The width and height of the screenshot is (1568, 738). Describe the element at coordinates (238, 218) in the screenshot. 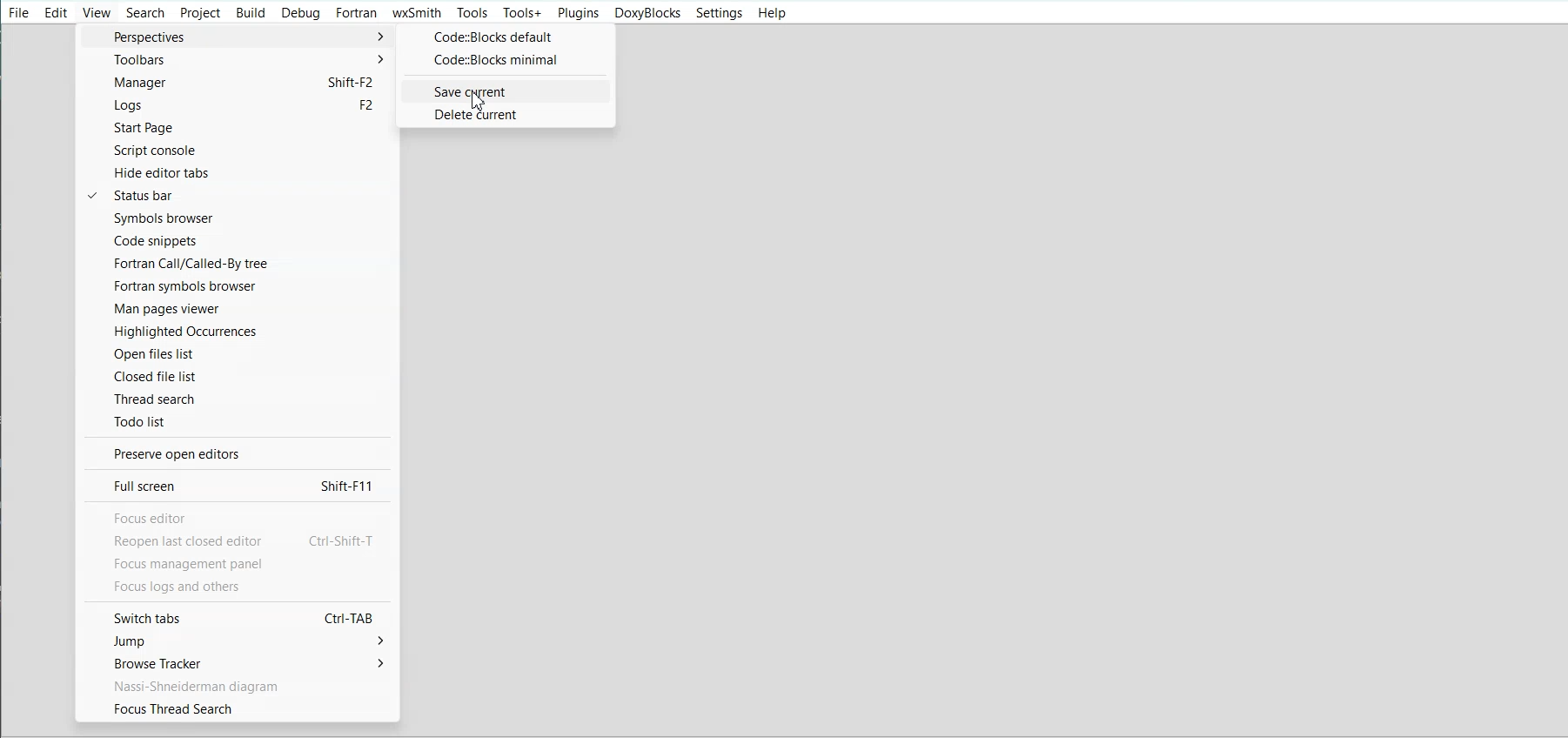

I see `Symbol browser` at that location.